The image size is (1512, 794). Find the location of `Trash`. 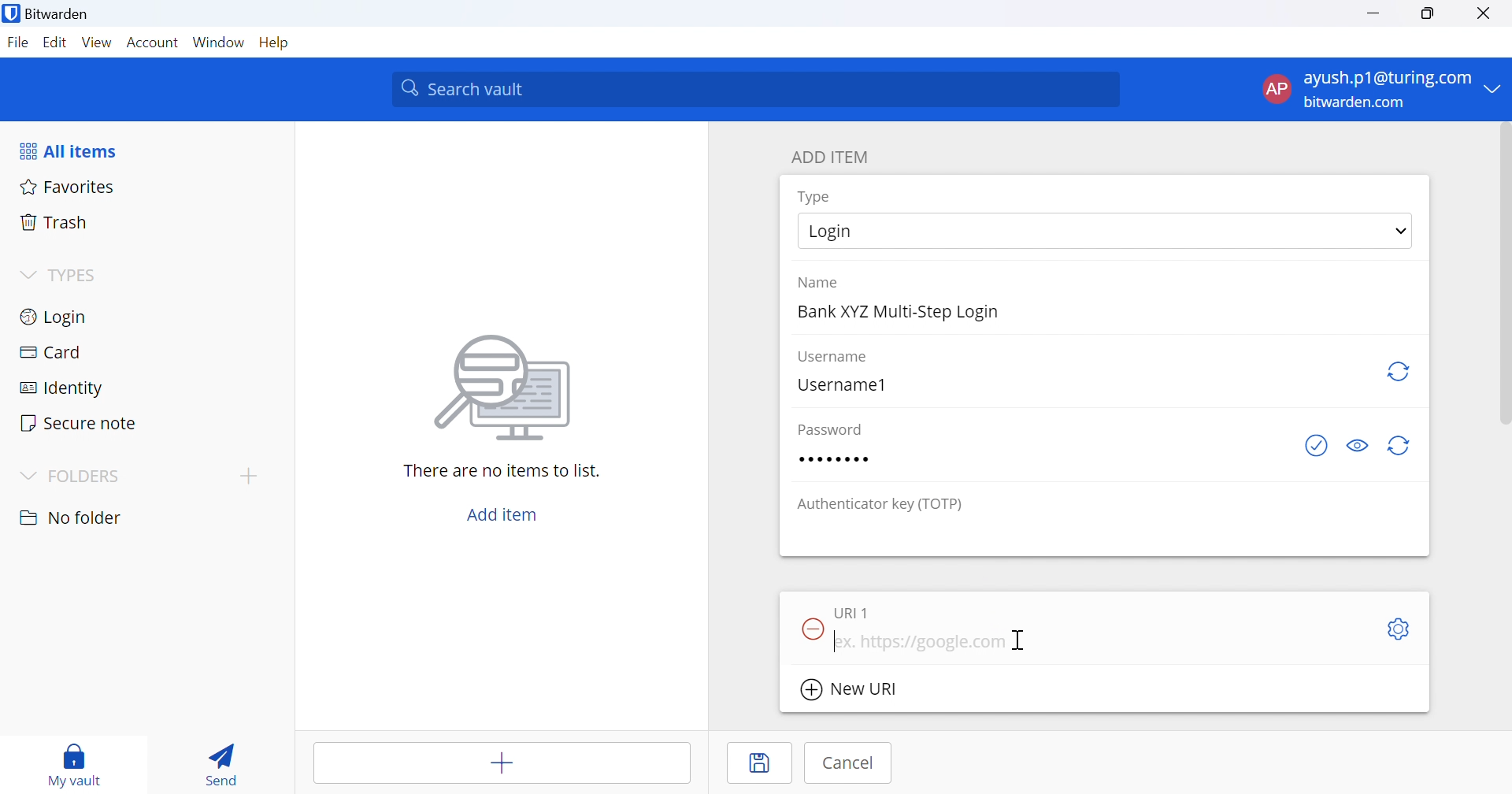

Trash is located at coordinates (54, 221).